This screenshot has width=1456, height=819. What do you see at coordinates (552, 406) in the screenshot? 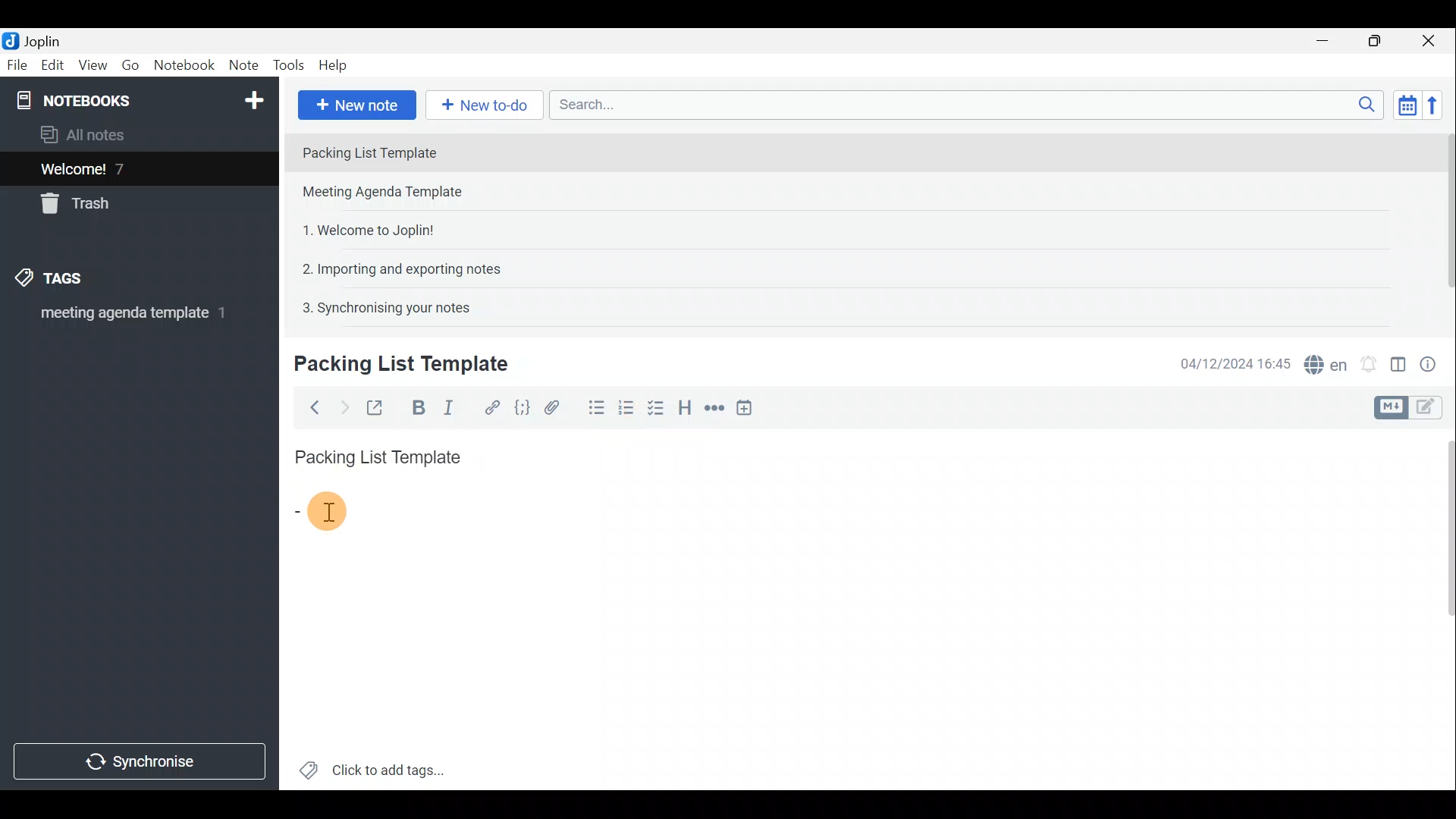
I see `Attach file` at bounding box center [552, 406].